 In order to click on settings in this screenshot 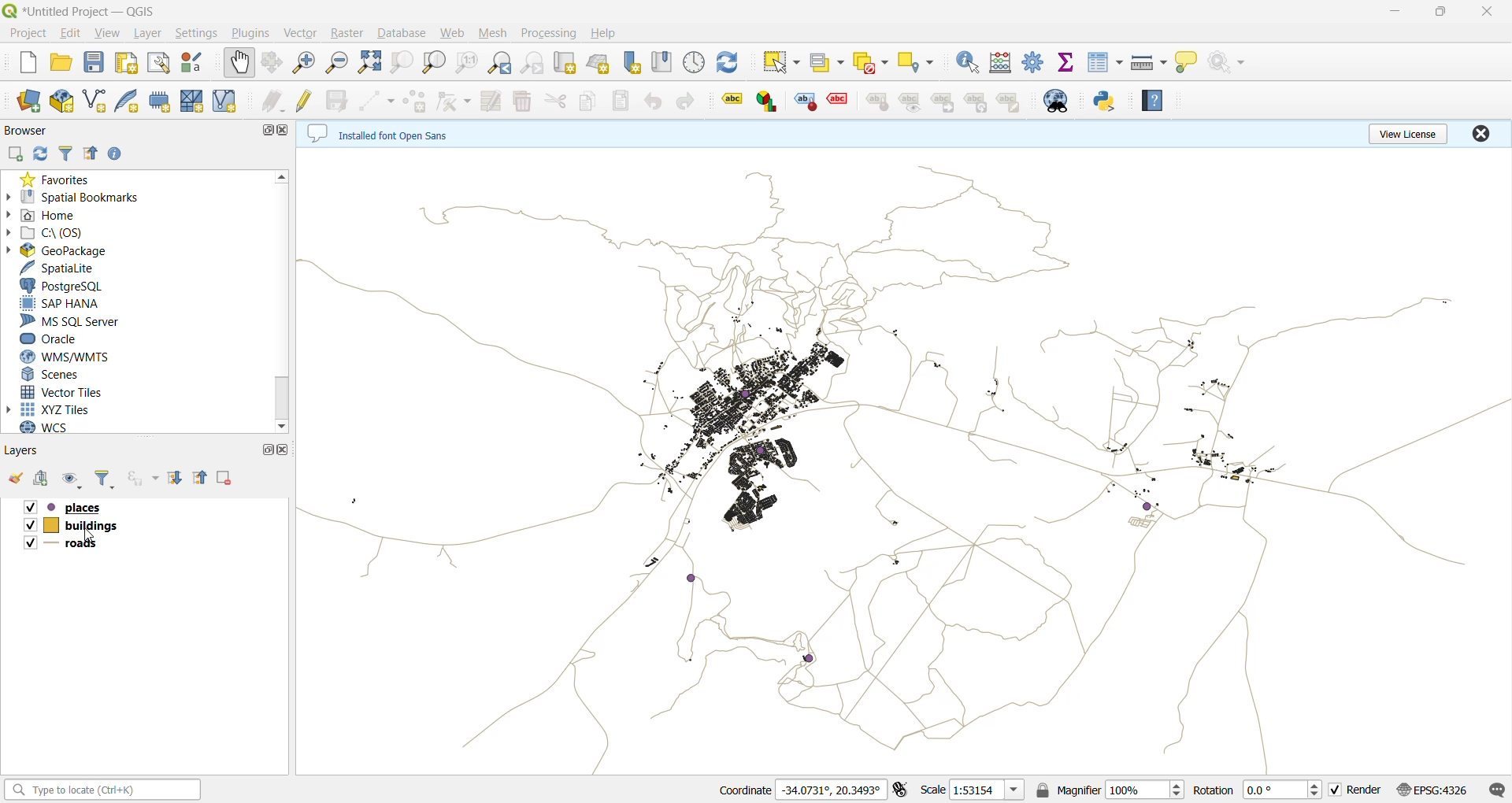, I will do `click(196, 33)`.